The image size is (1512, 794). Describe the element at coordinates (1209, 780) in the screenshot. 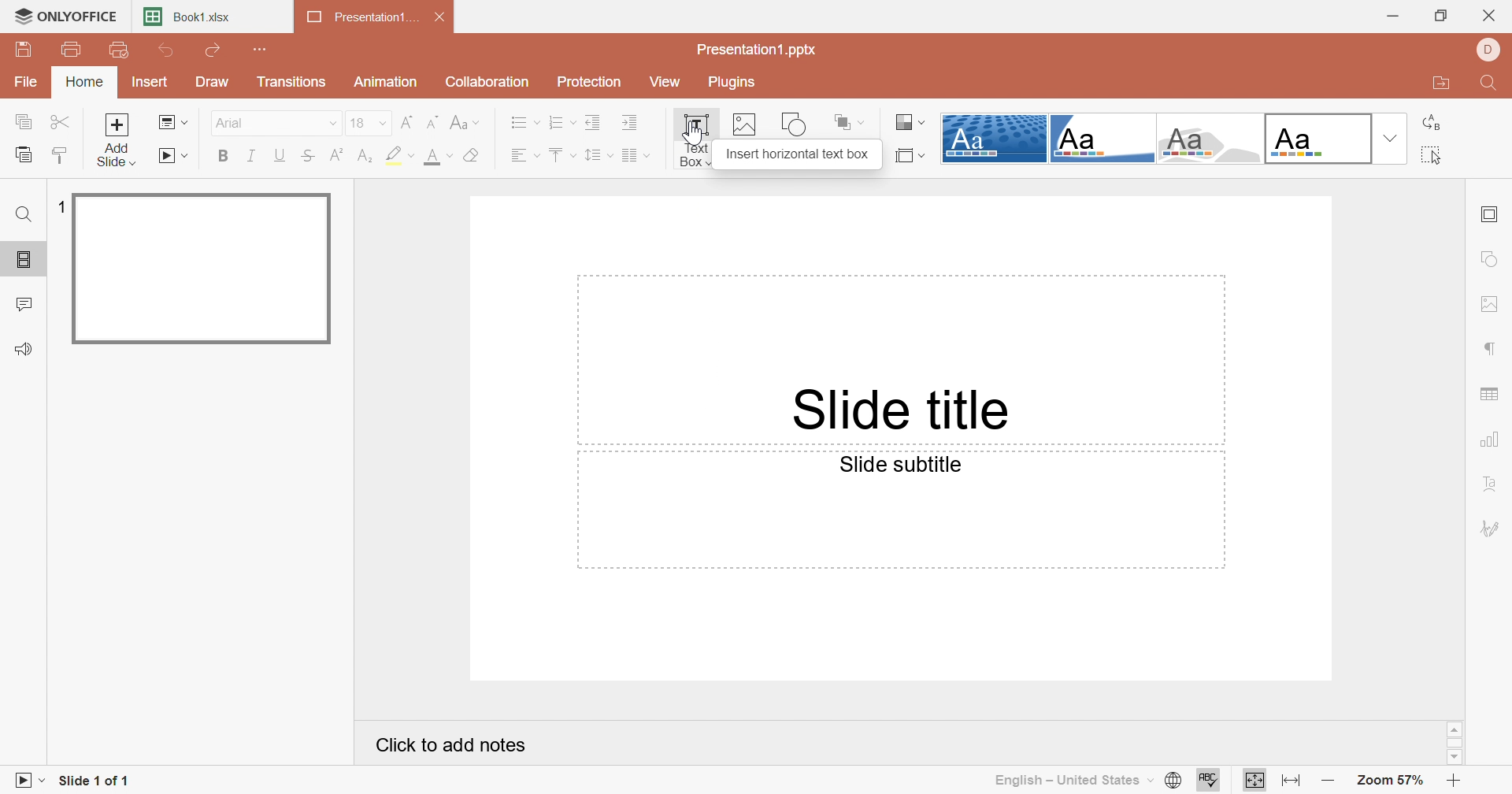

I see `Spell checking` at that location.